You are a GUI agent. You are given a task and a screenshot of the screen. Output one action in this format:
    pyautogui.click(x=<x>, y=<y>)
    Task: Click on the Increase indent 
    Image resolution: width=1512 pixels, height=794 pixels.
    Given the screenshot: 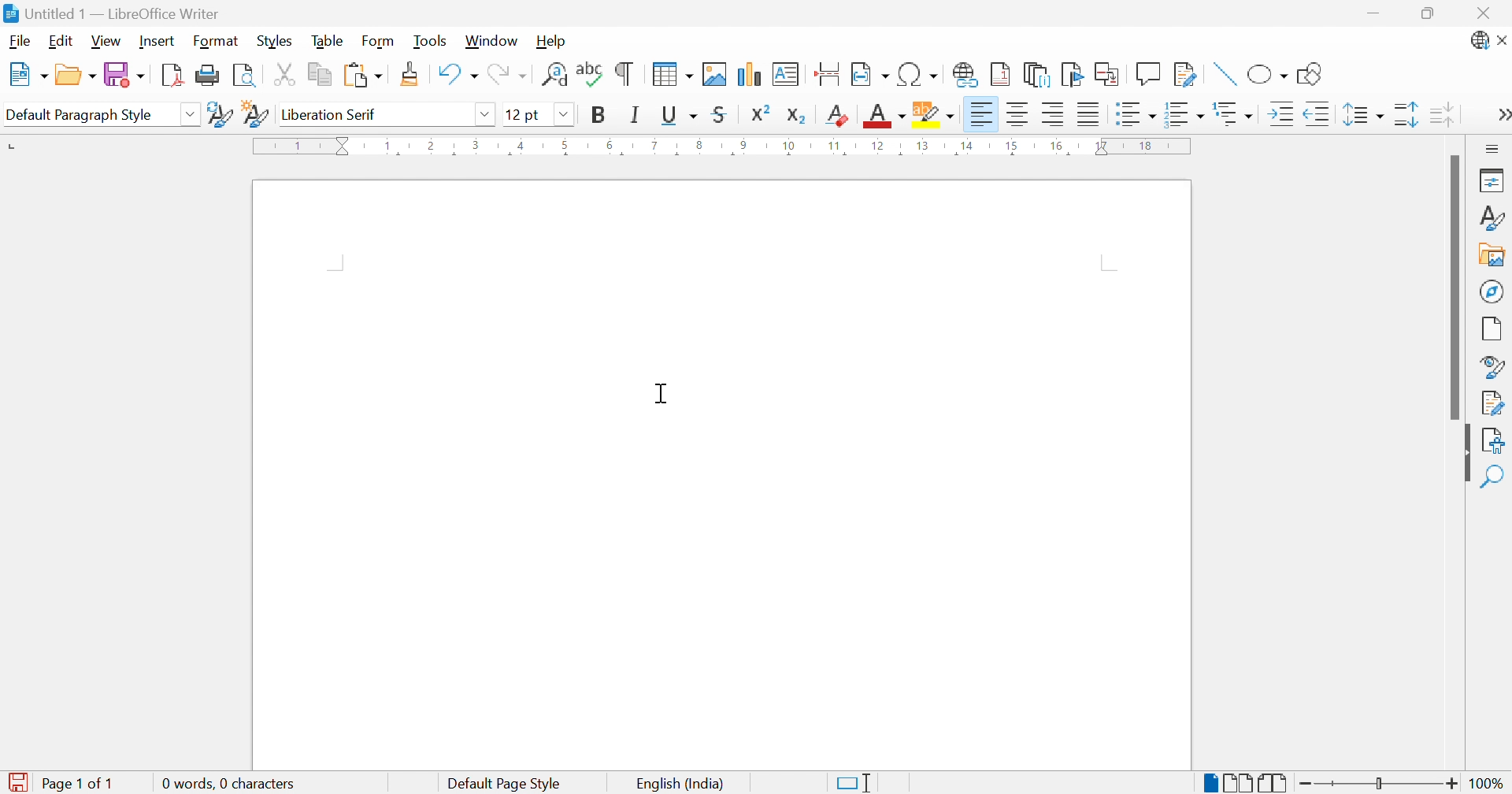 What is the action you would take?
    pyautogui.click(x=1284, y=117)
    